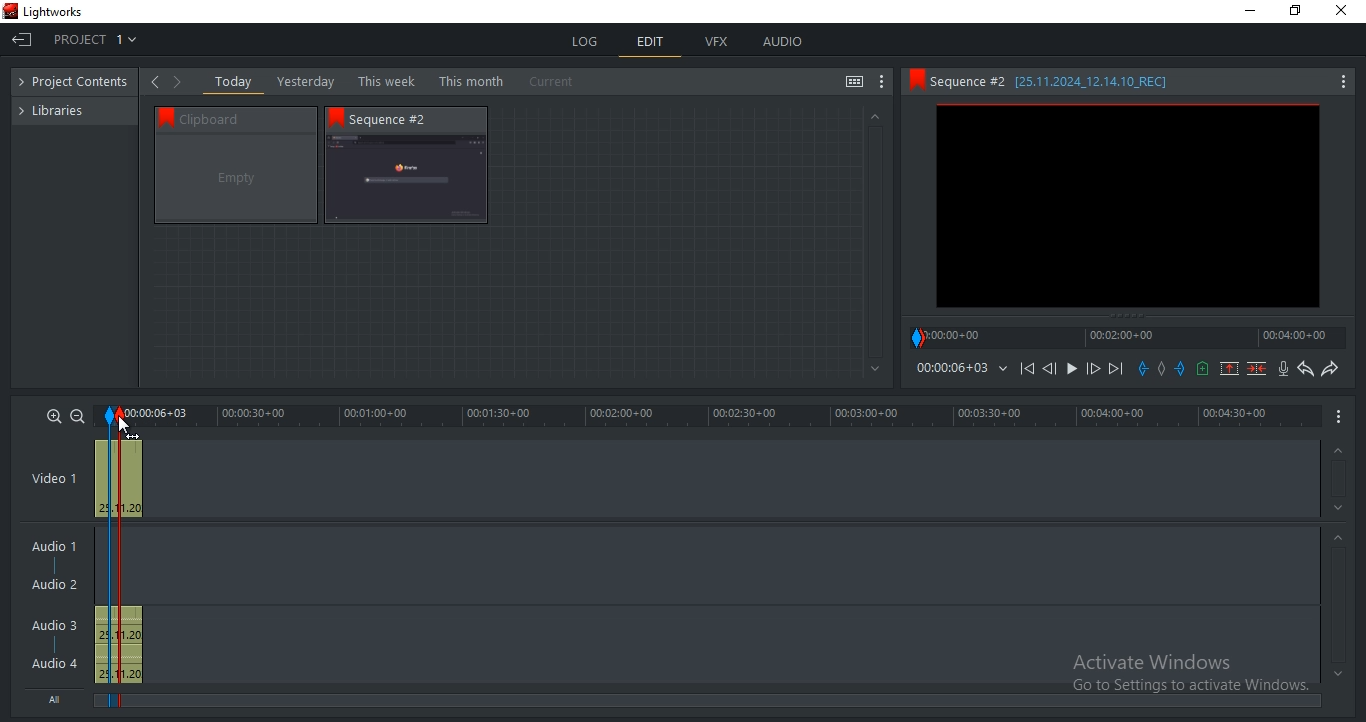 This screenshot has height=722, width=1366. Describe the element at coordinates (710, 416) in the screenshot. I see `timeline` at that location.